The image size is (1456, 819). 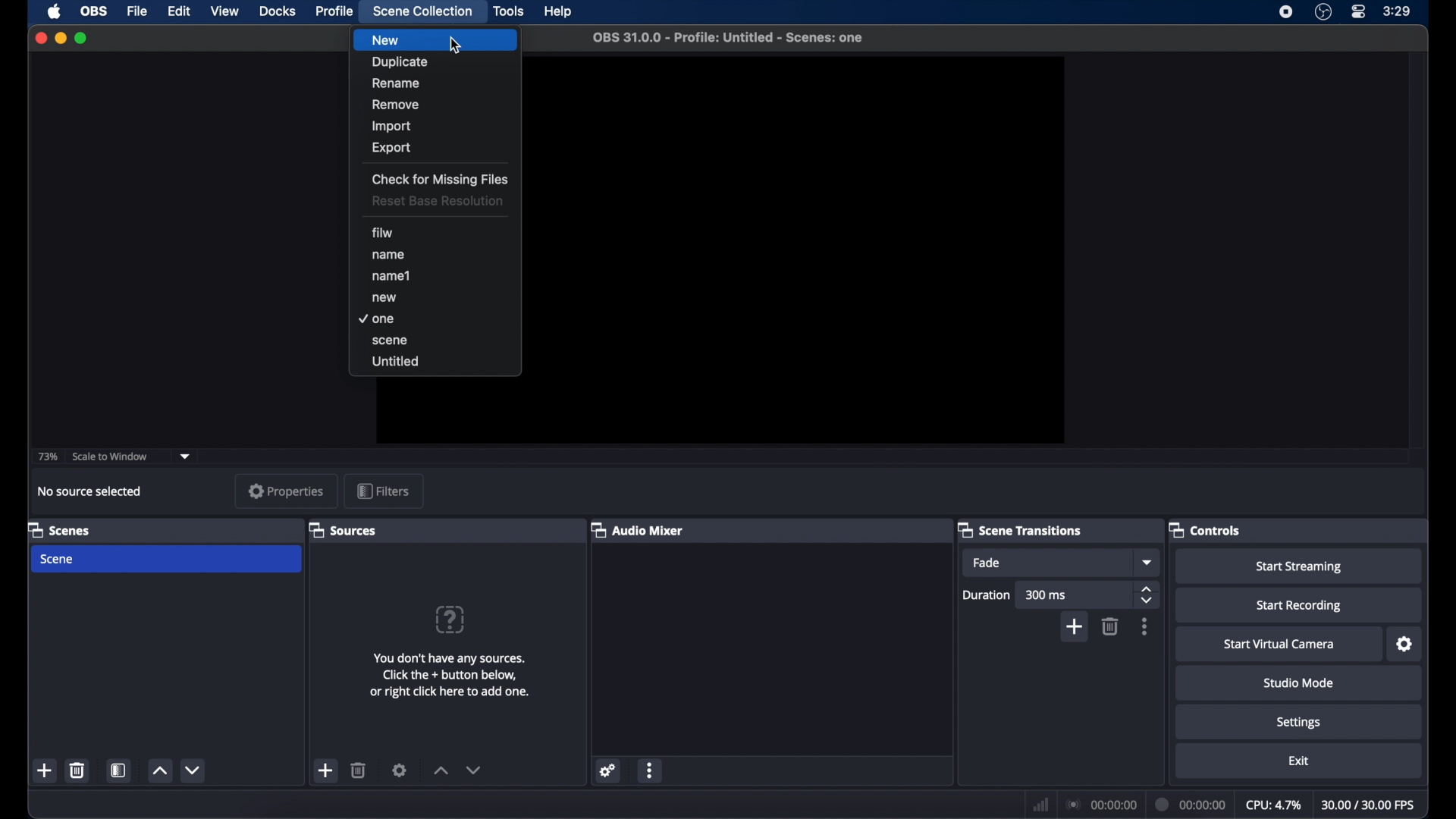 I want to click on settings, so click(x=1301, y=722).